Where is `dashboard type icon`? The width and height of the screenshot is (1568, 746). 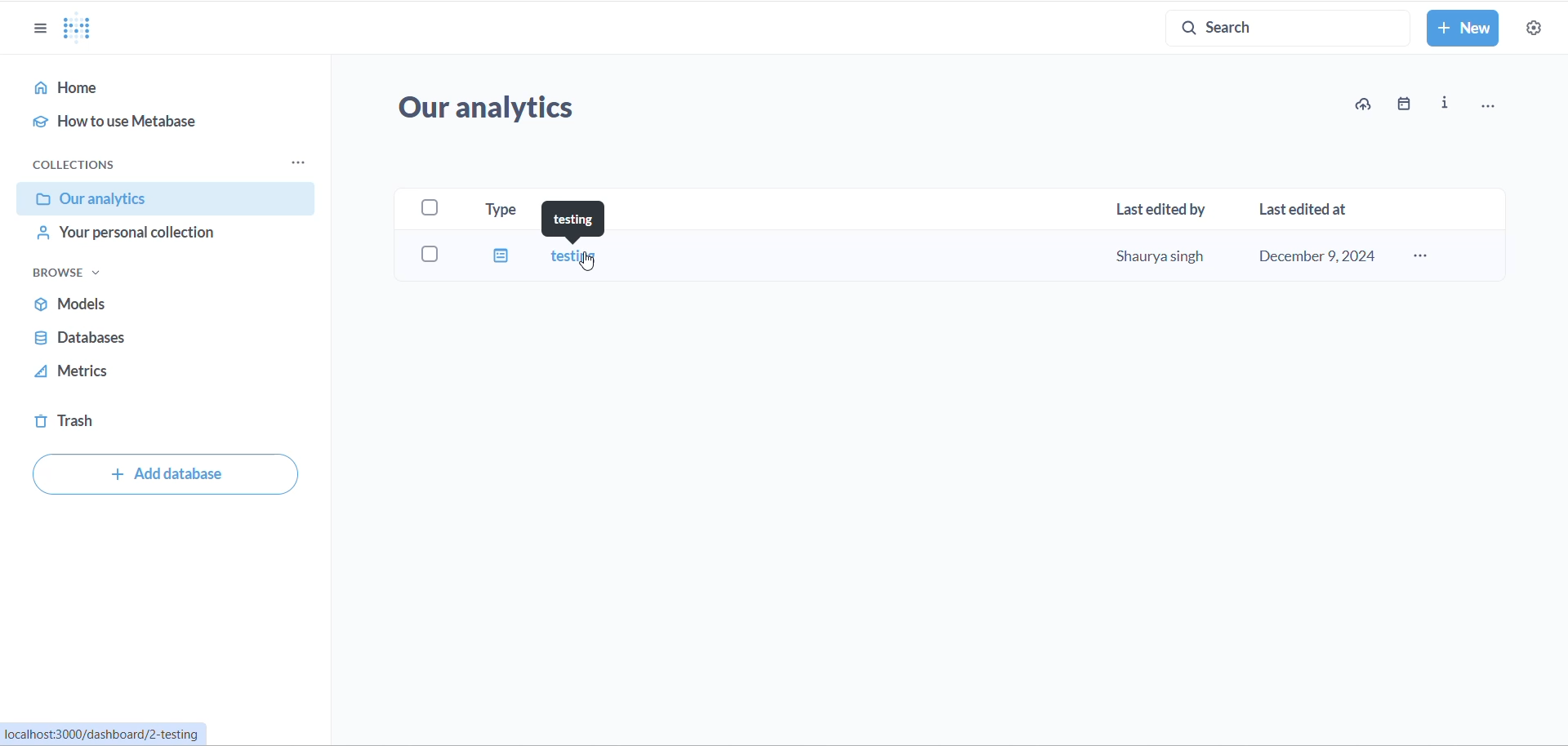
dashboard type icon is located at coordinates (499, 255).